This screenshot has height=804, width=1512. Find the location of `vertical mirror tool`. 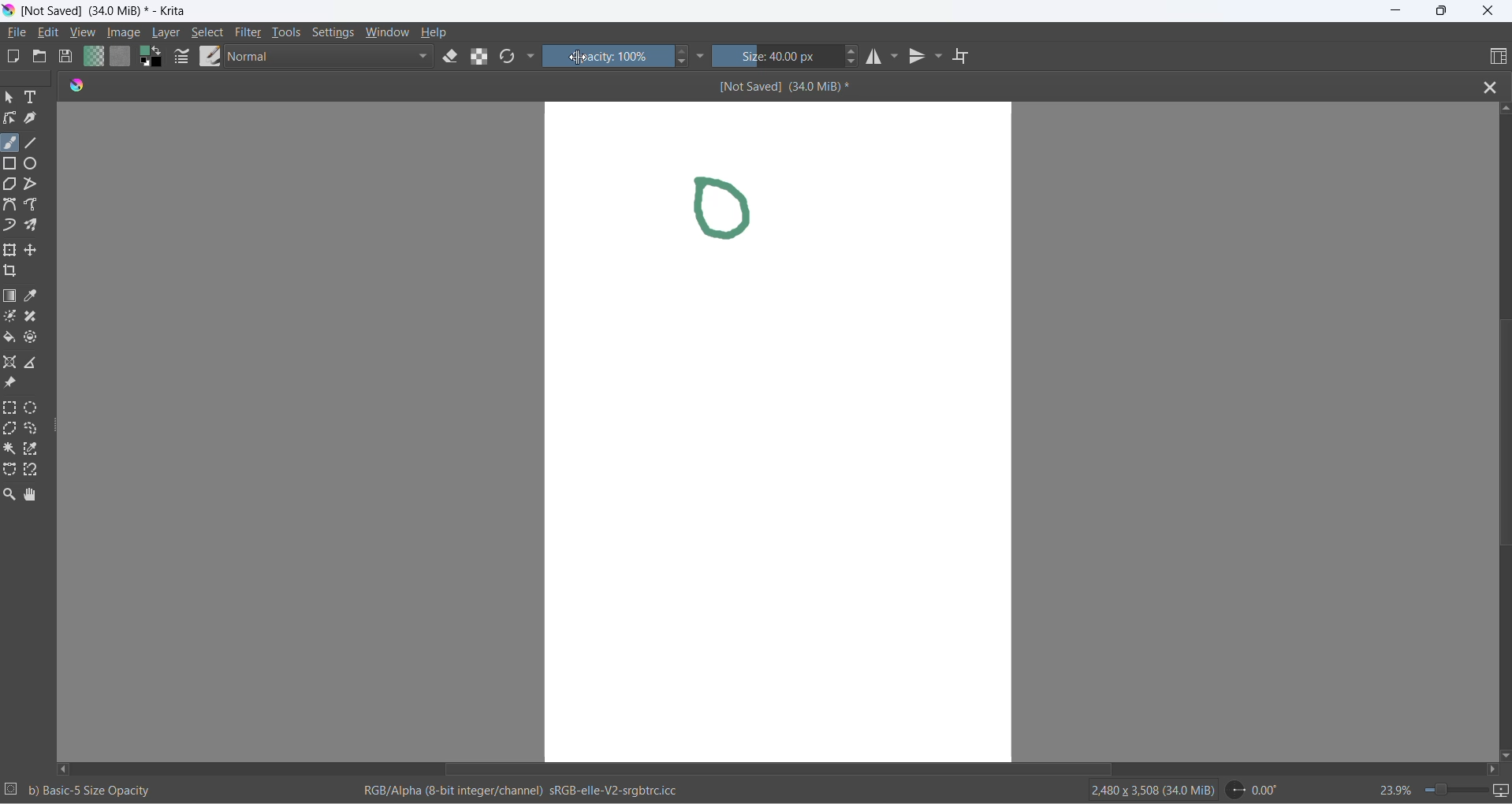

vertical mirror tool is located at coordinates (919, 57).